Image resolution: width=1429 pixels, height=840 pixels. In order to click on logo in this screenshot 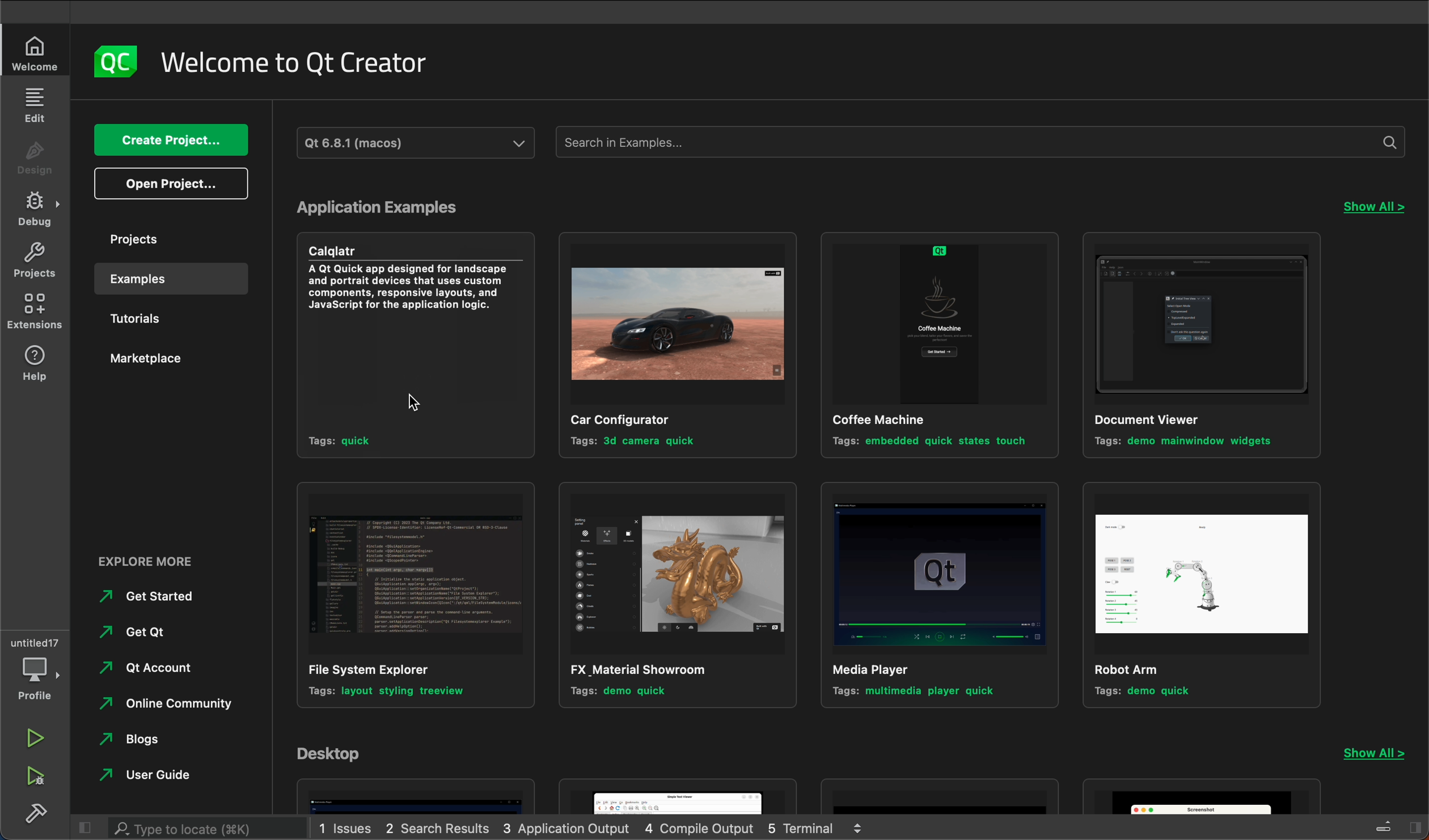, I will do `click(116, 60)`.